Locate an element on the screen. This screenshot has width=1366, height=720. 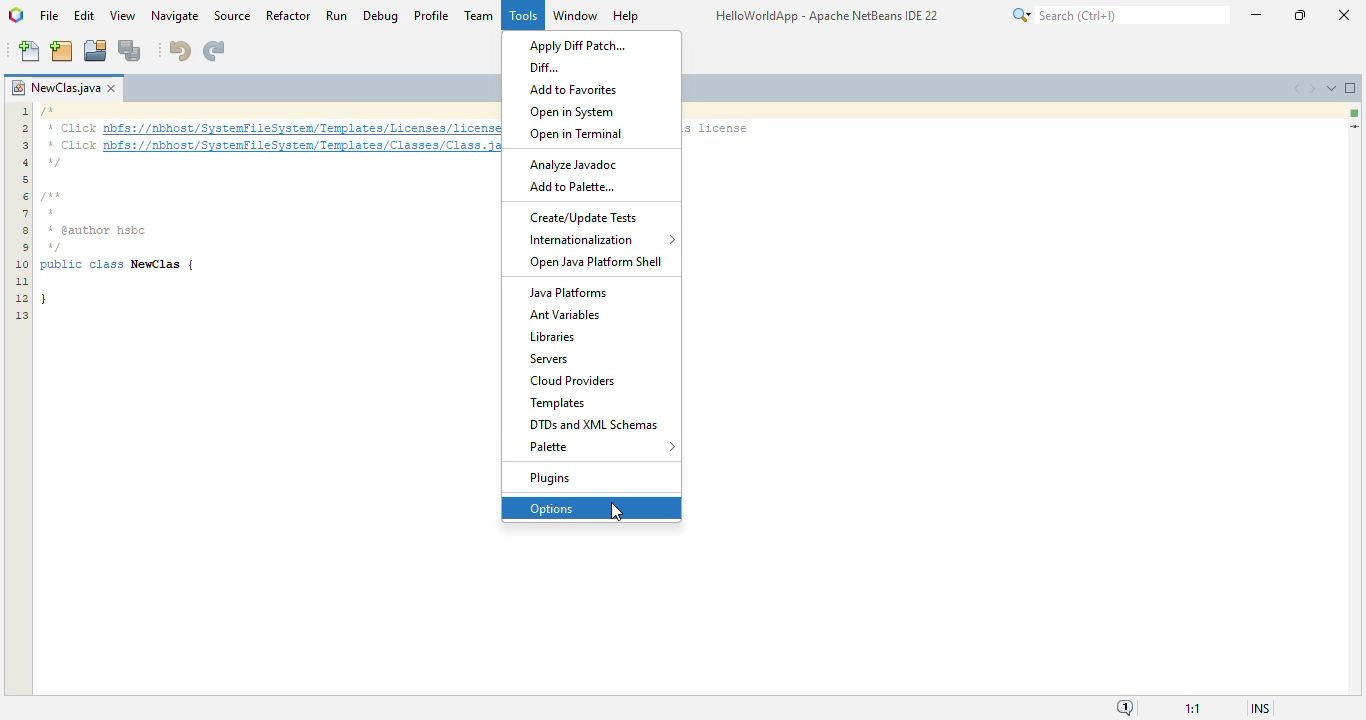
new project is located at coordinates (62, 50).